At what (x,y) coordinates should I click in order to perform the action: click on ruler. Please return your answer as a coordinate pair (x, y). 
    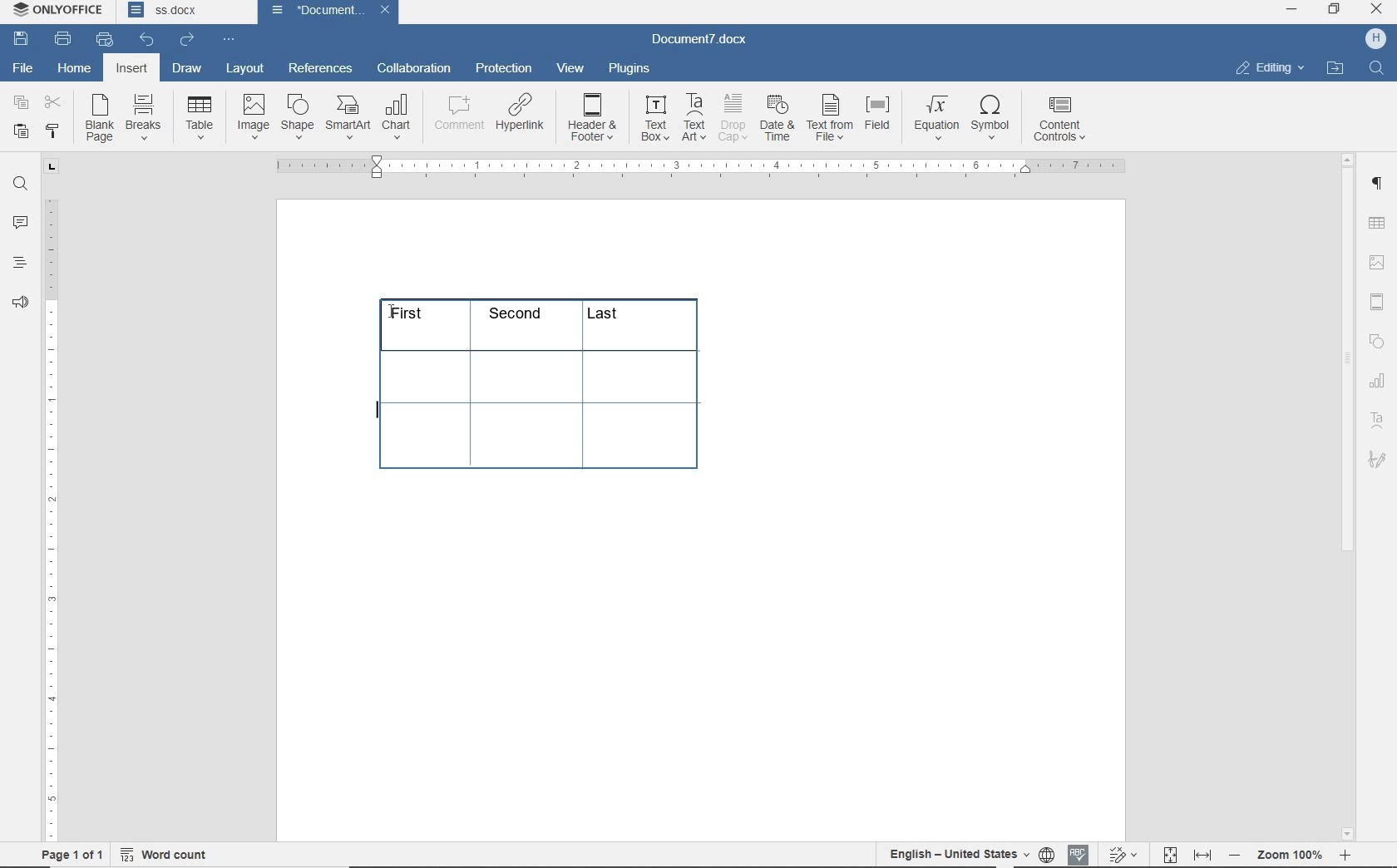
    Looking at the image, I should click on (51, 520).